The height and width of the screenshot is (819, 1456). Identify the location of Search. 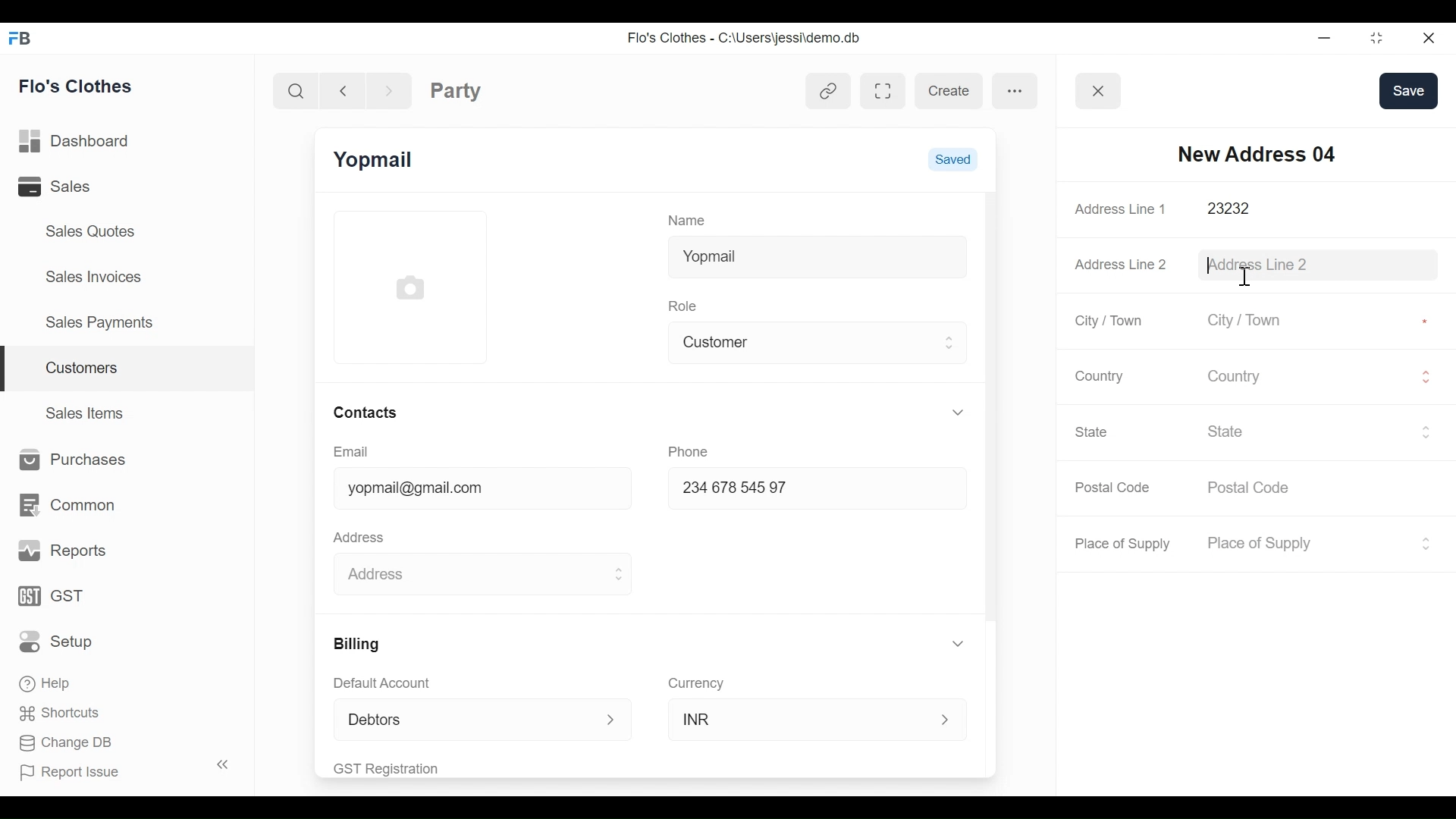
(299, 90).